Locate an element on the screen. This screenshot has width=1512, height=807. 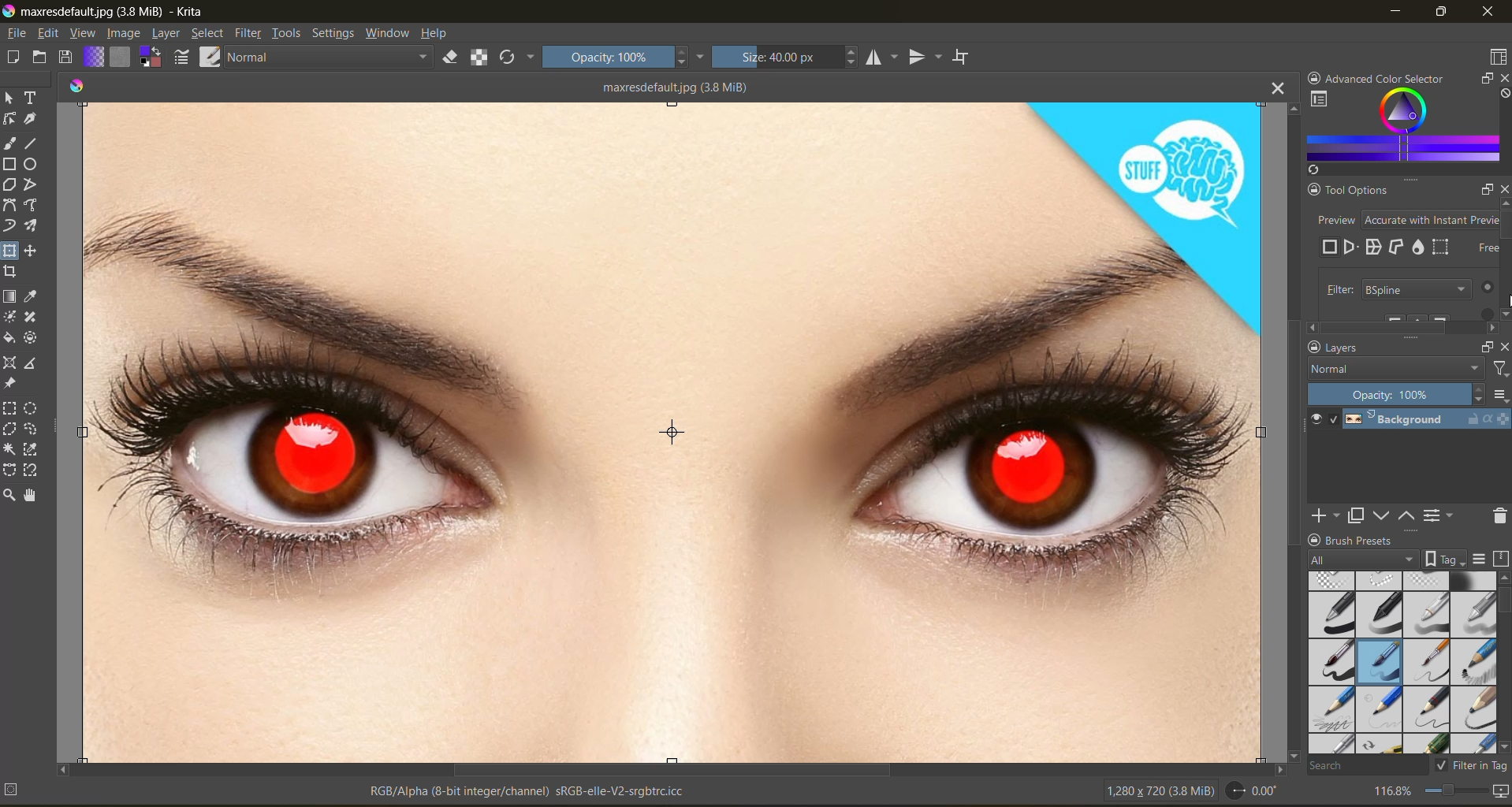
normal is located at coordinates (1394, 369).